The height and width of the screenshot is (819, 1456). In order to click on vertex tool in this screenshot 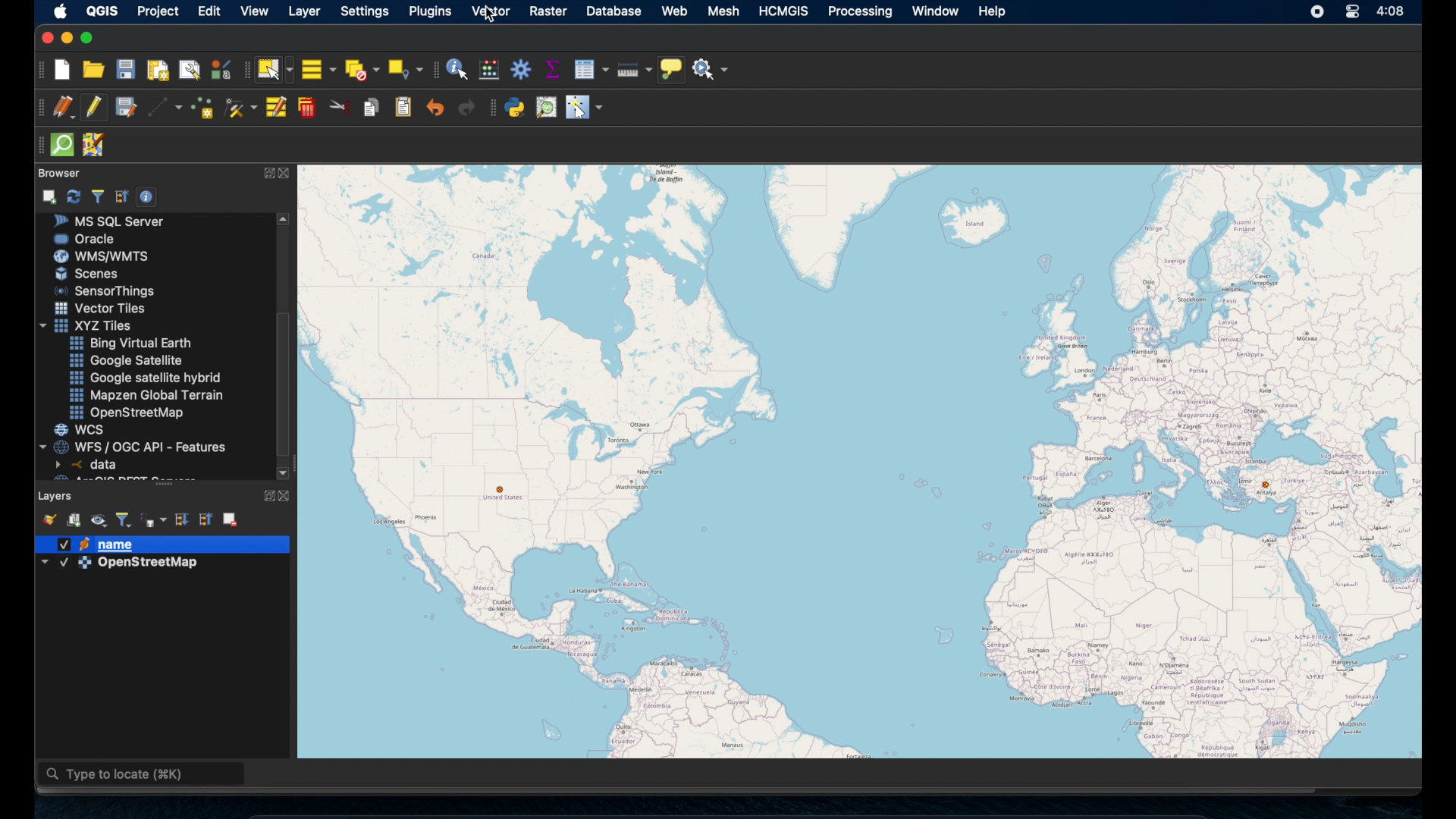, I will do `click(240, 105)`.